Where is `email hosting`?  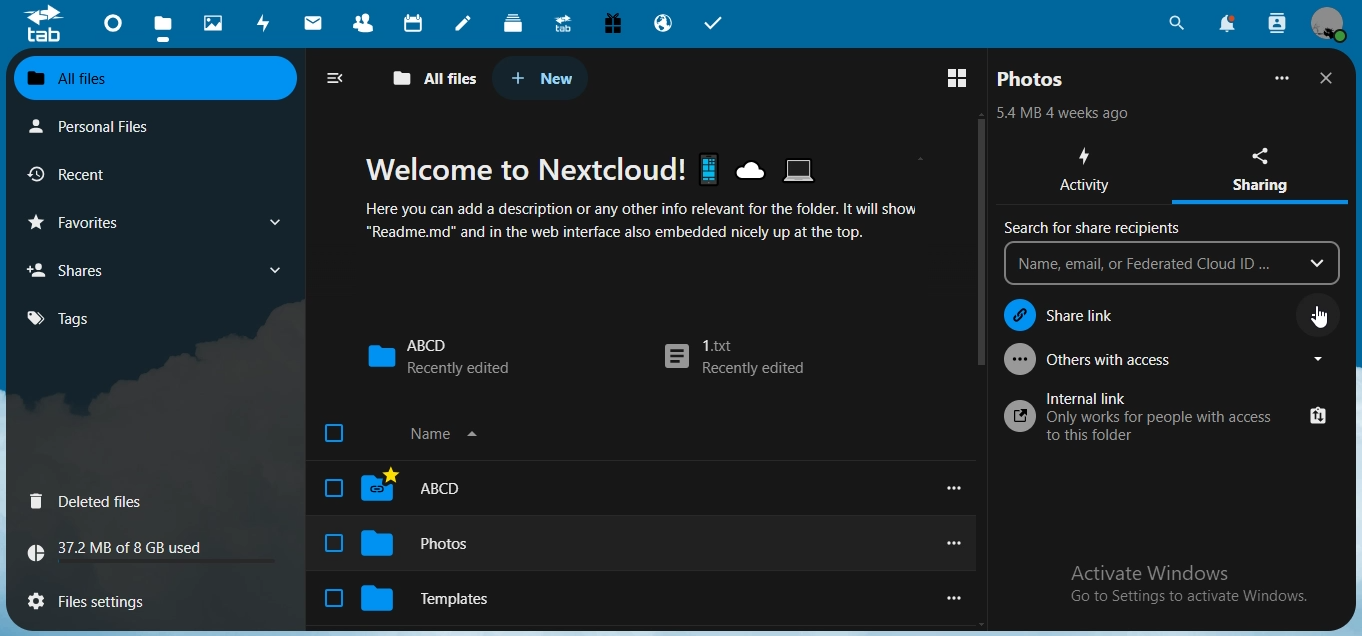 email hosting is located at coordinates (664, 25).